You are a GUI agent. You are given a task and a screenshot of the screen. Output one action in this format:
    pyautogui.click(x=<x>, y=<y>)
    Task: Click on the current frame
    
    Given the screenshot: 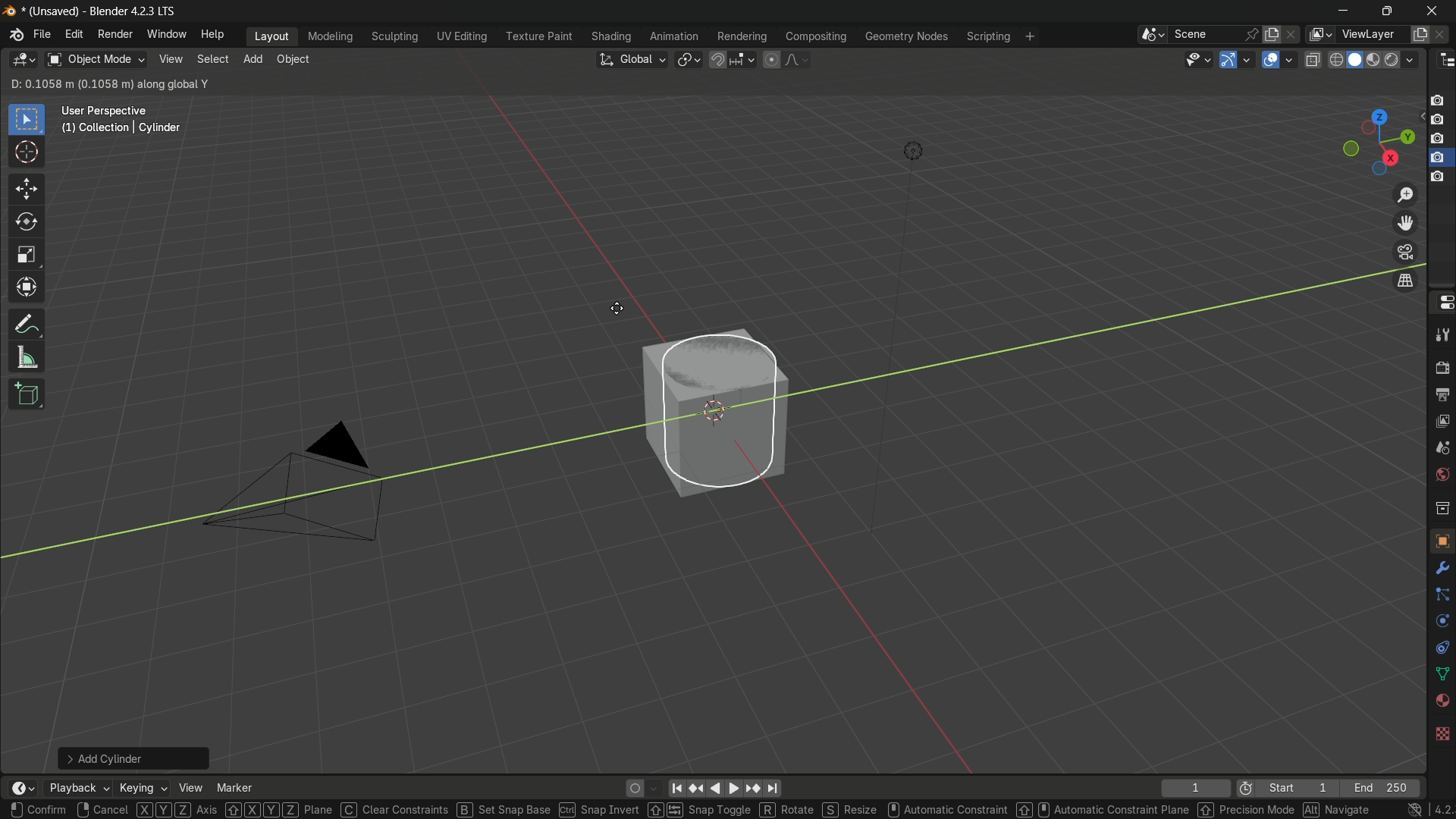 What is the action you would take?
    pyautogui.click(x=1196, y=787)
    